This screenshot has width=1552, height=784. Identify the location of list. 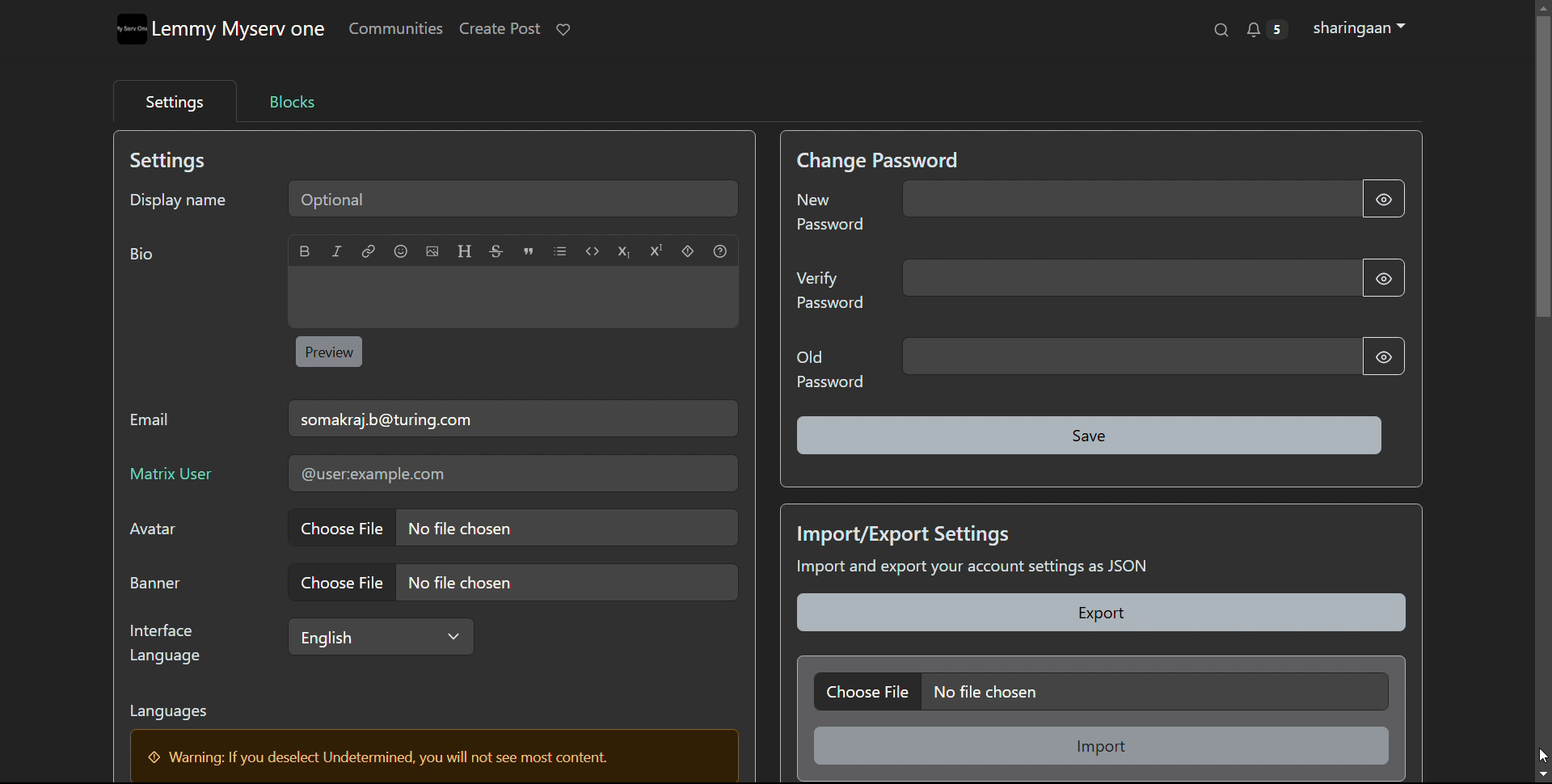
(559, 251).